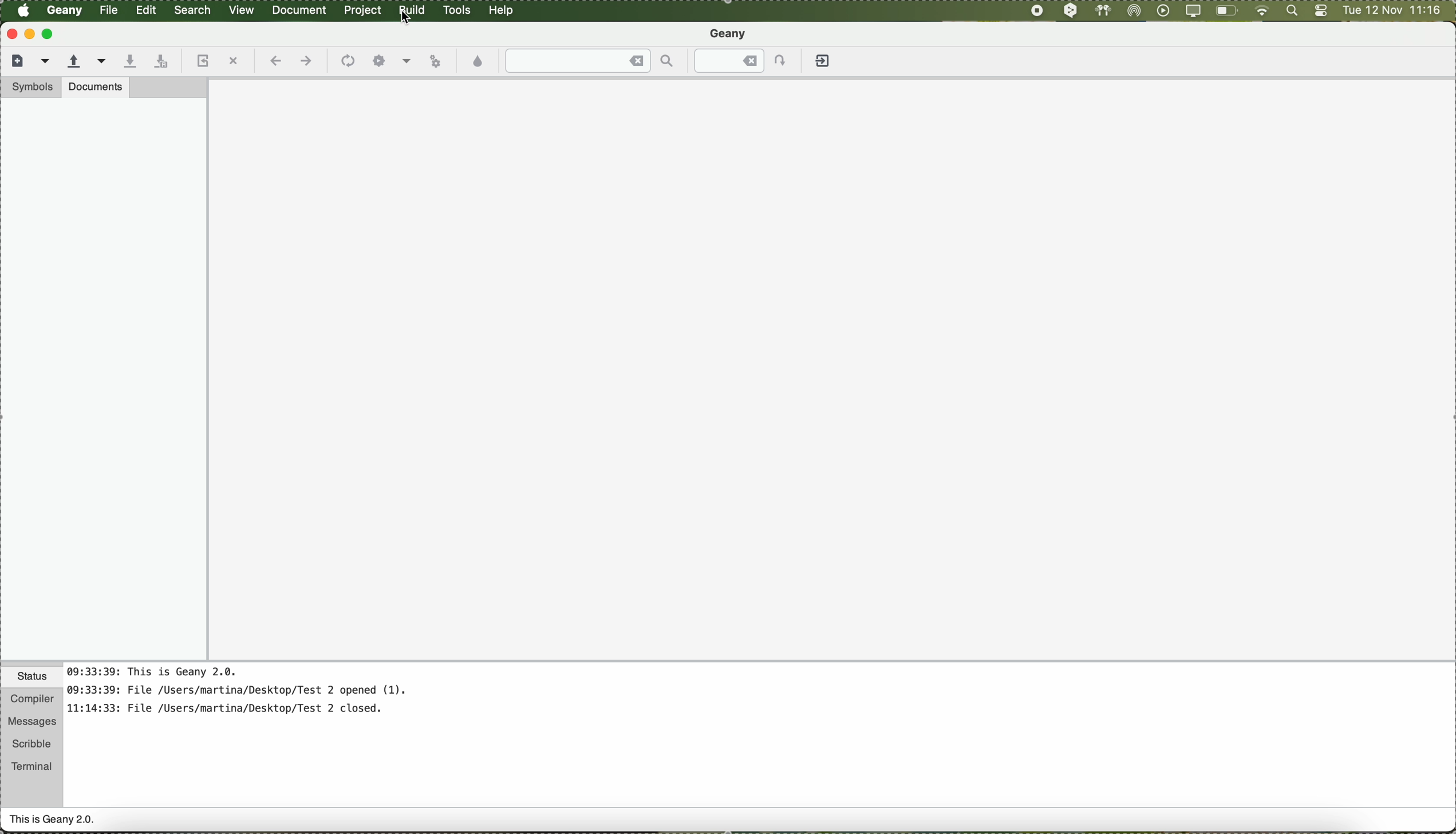  I want to click on quit Geany, so click(824, 63).